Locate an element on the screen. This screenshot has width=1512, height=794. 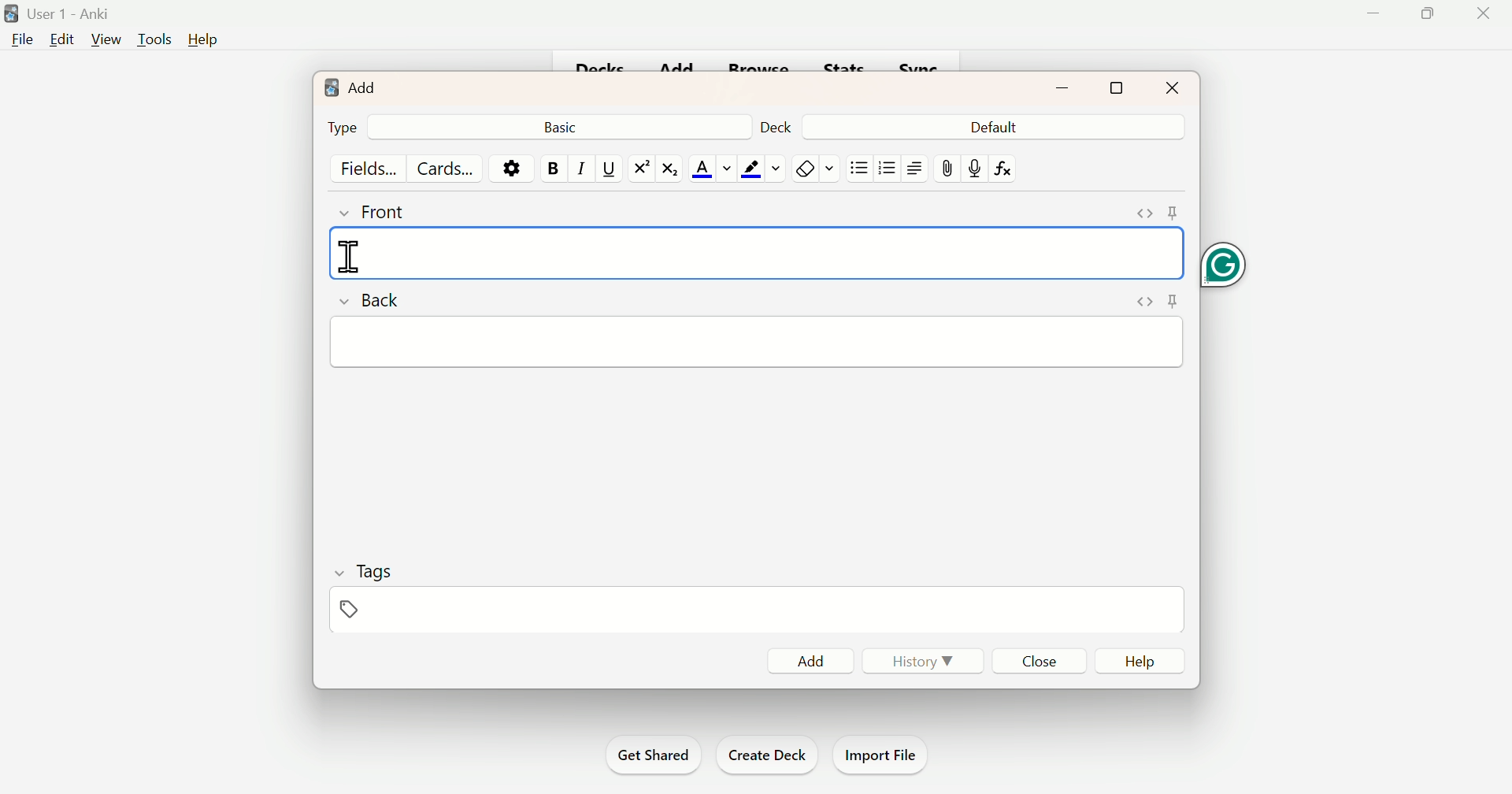
Fields... is located at coordinates (372, 169).